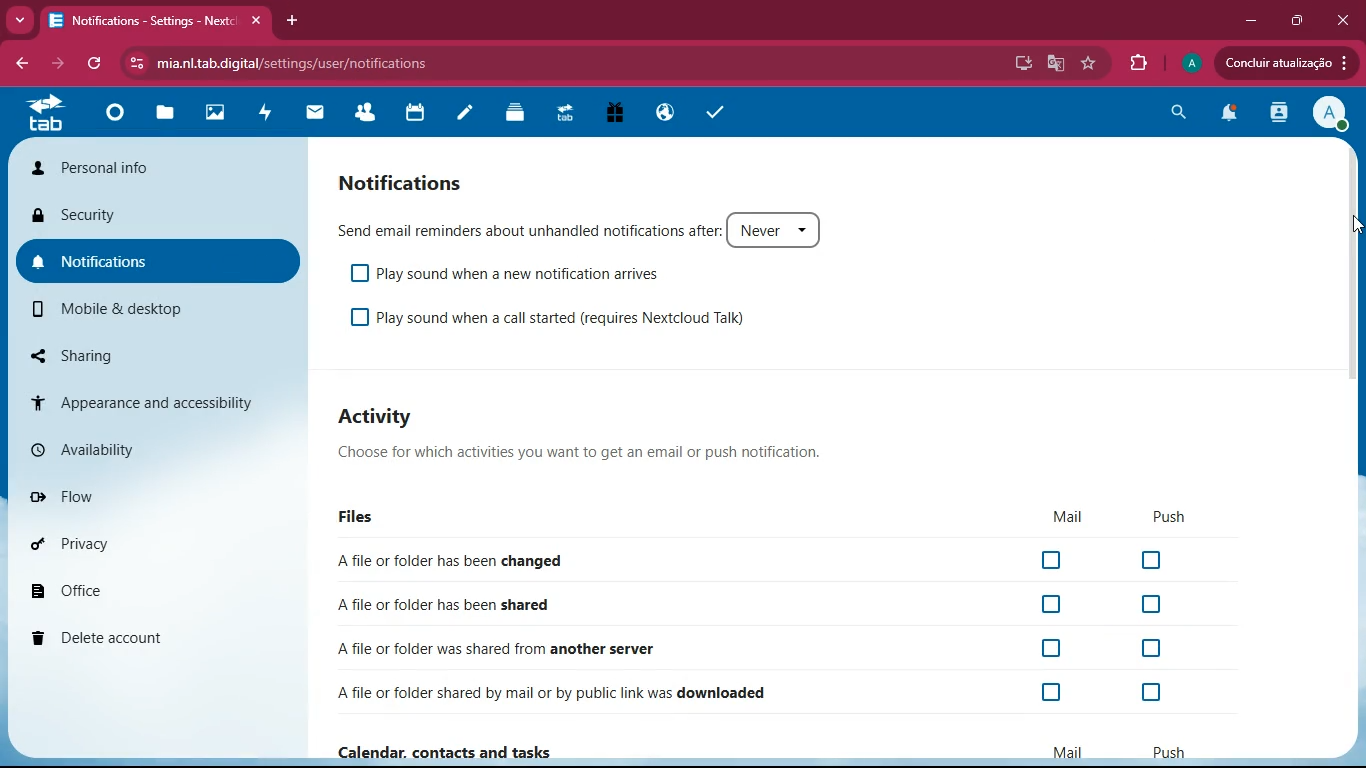 This screenshot has height=768, width=1366. What do you see at coordinates (137, 545) in the screenshot?
I see `privacy` at bounding box center [137, 545].